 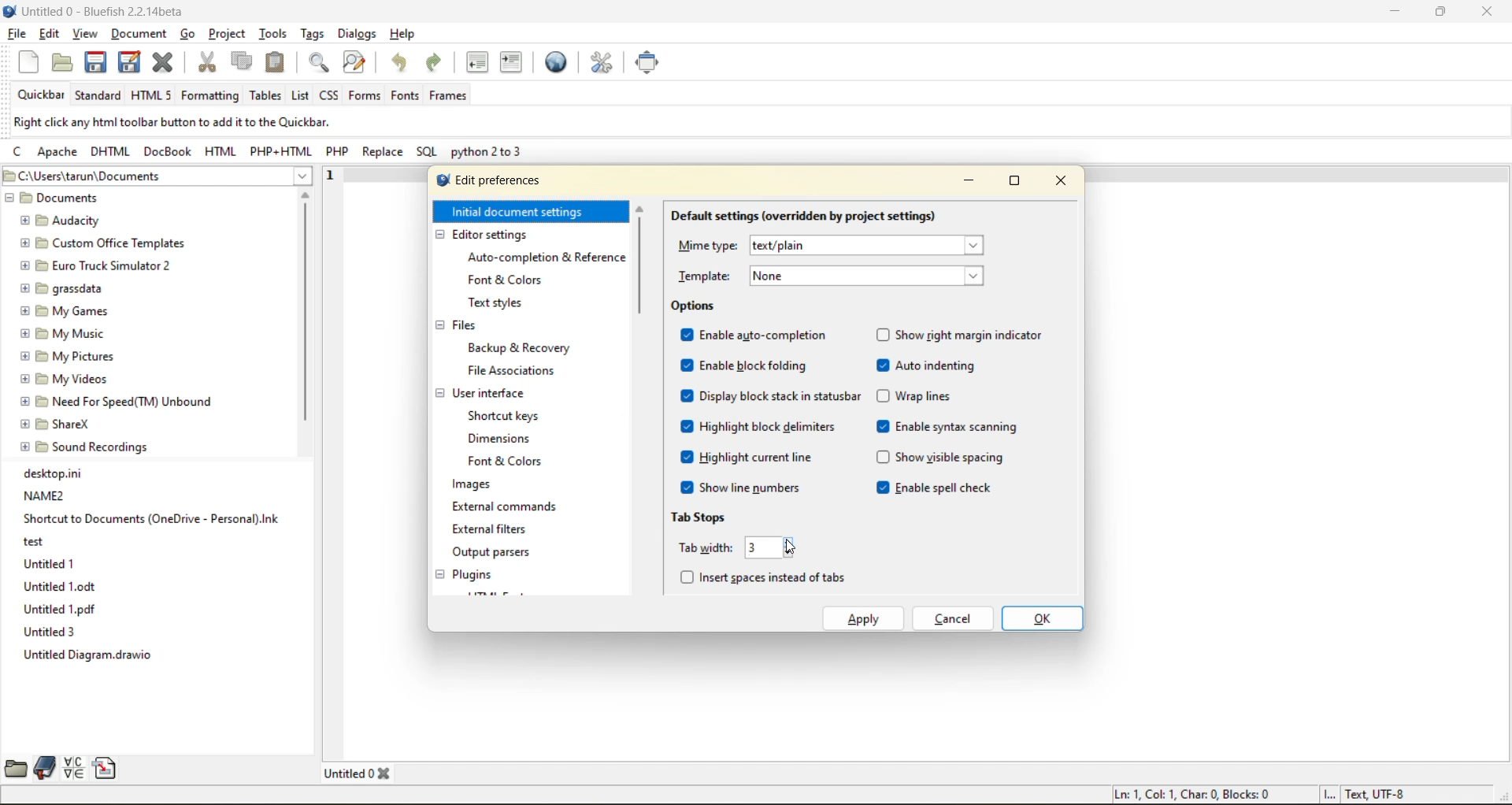 I want to click on minimize, so click(x=1390, y=13).